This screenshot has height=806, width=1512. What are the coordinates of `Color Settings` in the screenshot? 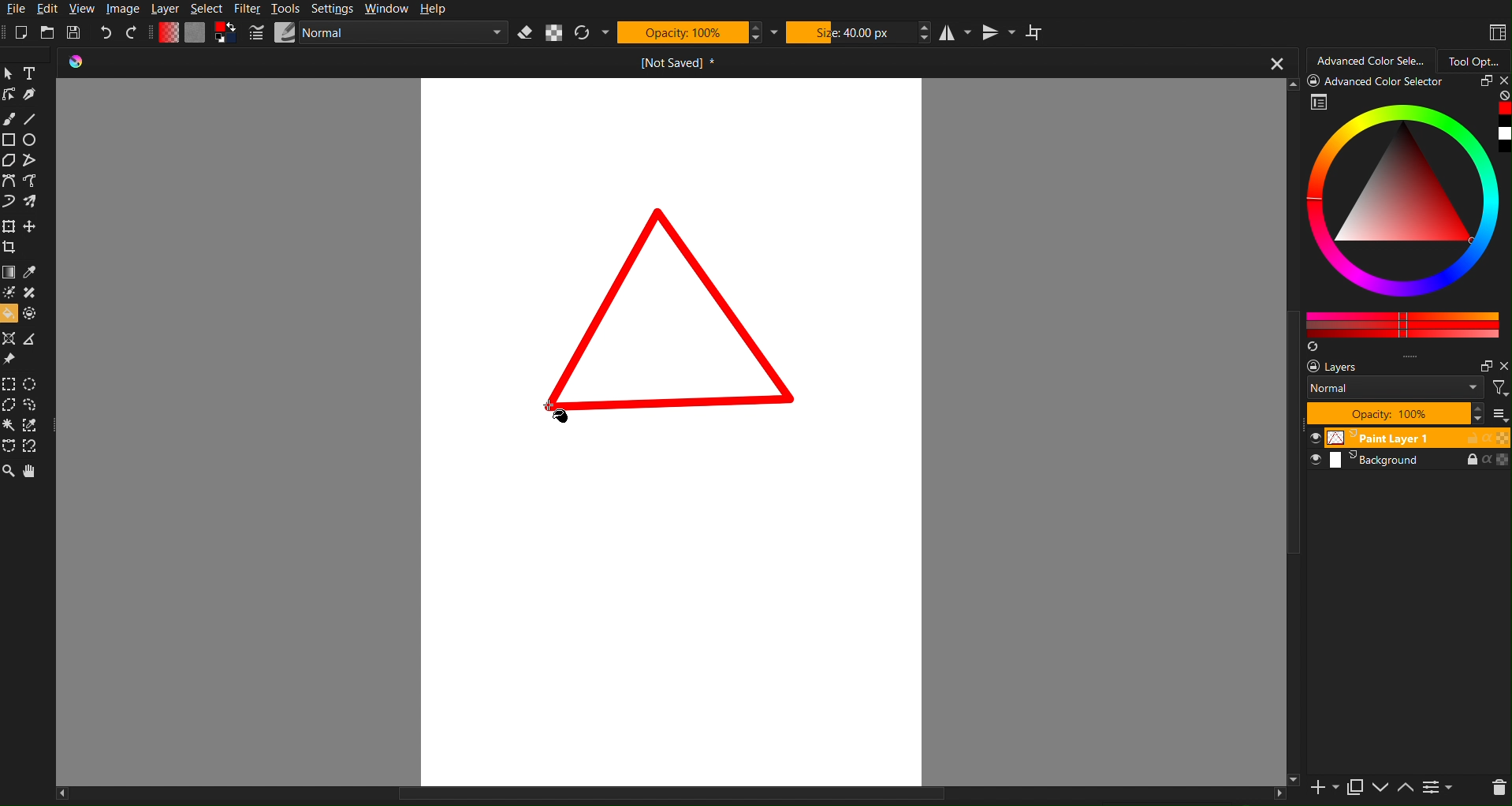 It's located at (196, 32).